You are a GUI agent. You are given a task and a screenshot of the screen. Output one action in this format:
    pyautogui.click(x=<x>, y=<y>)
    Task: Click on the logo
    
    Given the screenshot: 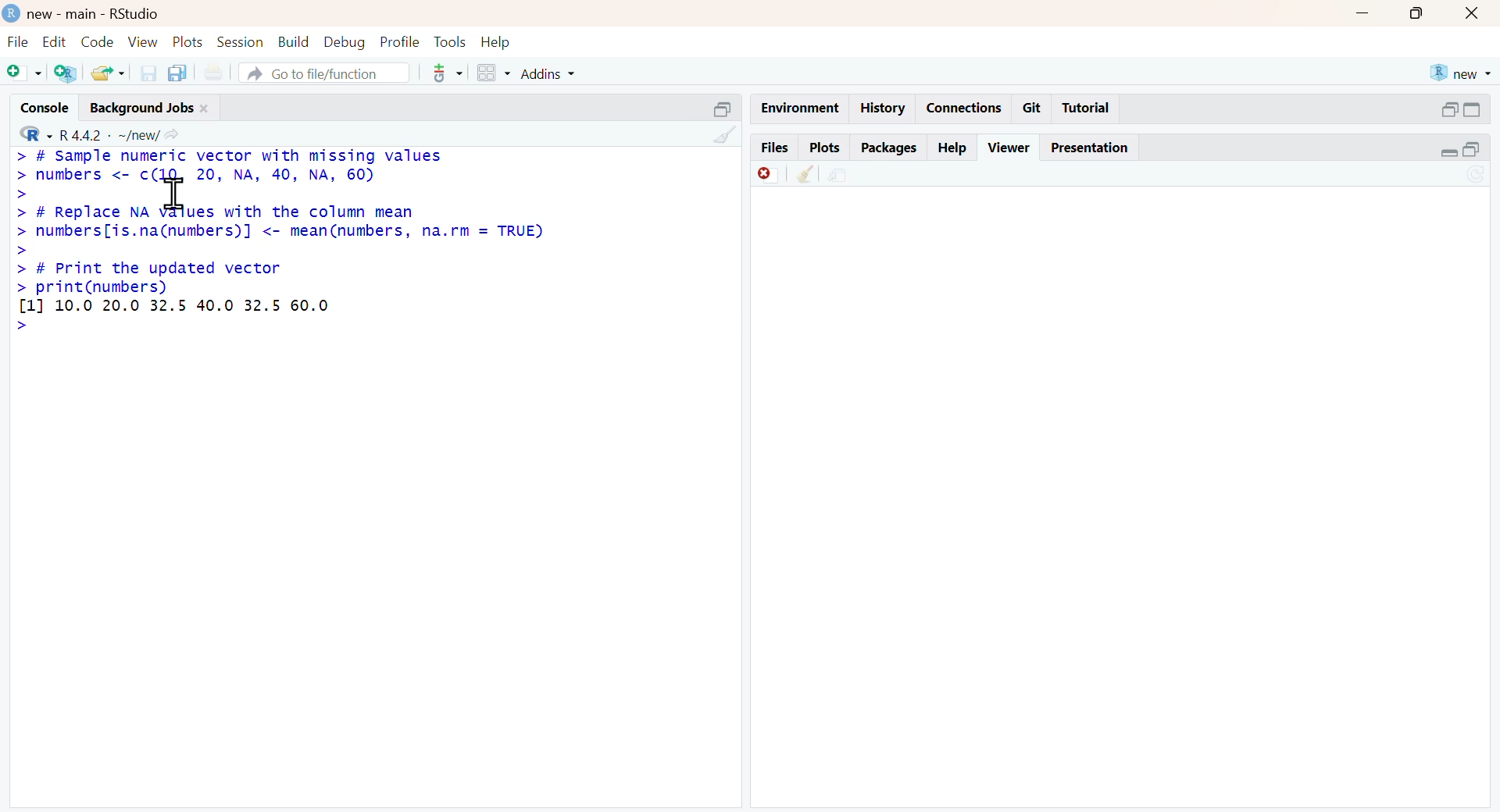 What is the action you would take?
    pyautogui.click(x=12, y=13)
    